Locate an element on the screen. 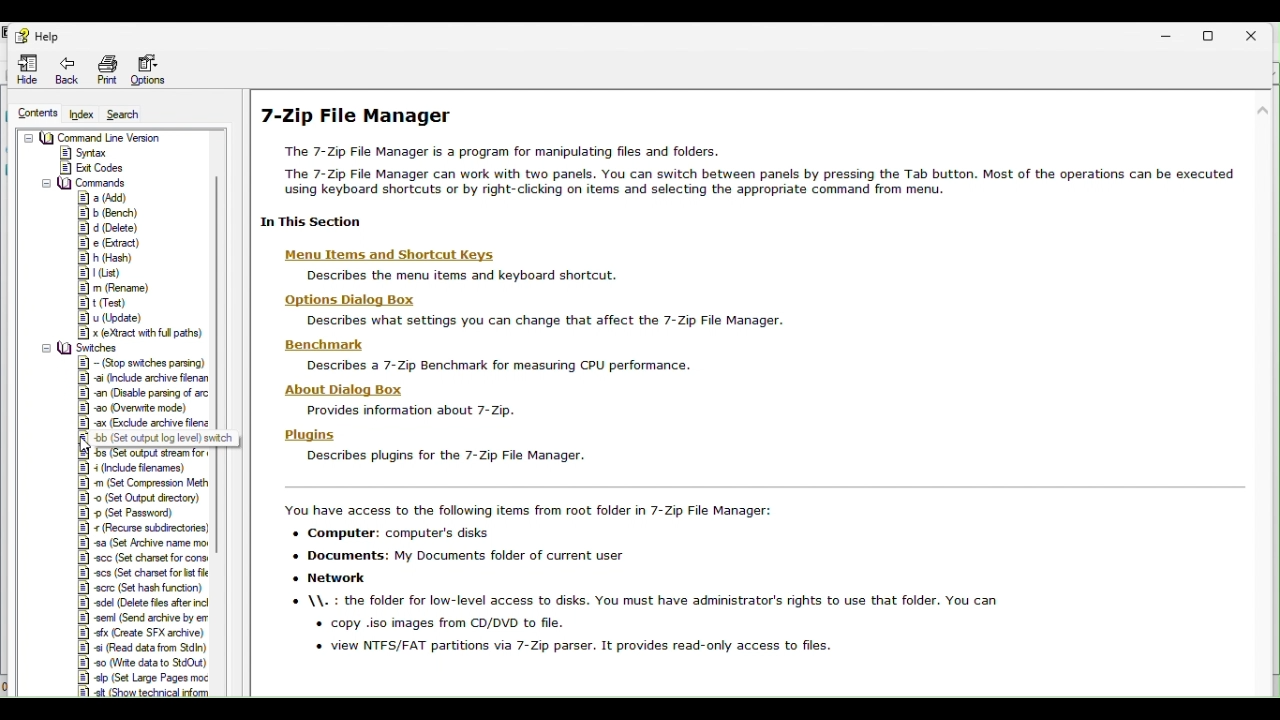 The width and height of the screenshot is (1280, 720). Plugins is located at coordinates (311, 435).